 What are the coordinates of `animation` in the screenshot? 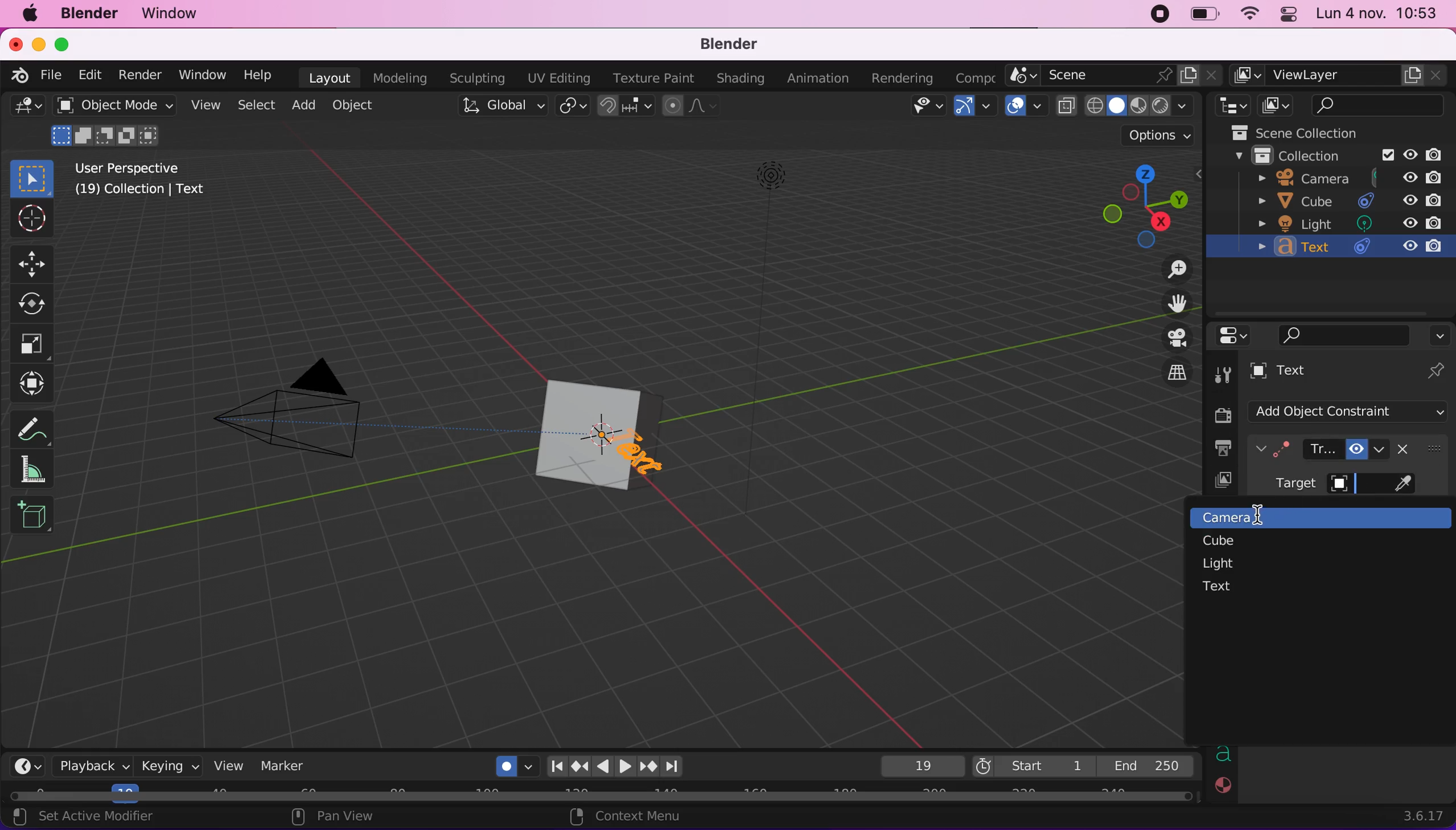 It's located at (821, 78).